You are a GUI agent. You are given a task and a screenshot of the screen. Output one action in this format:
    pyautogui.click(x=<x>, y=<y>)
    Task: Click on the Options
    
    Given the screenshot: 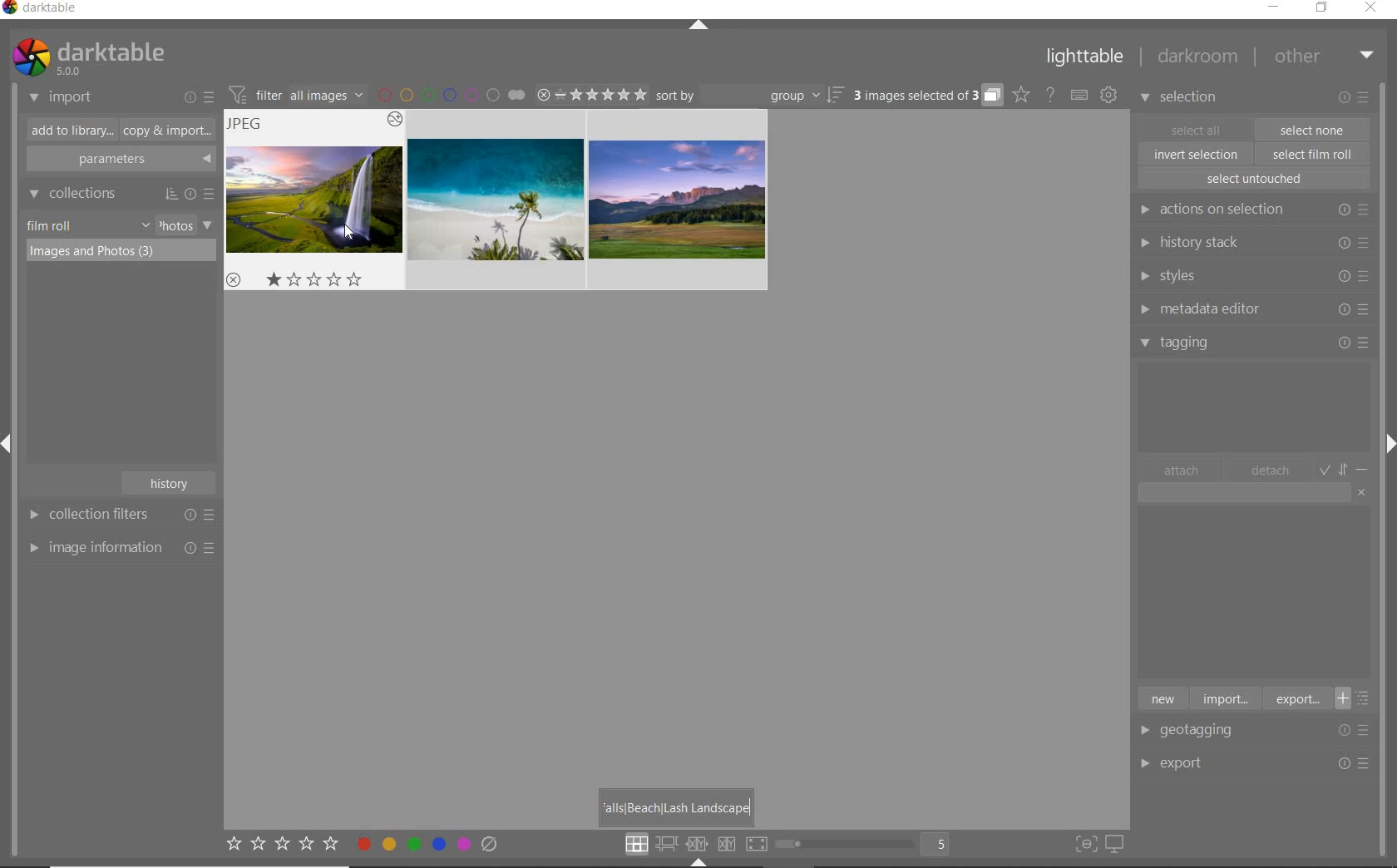 What is the action you would take?
    pyautogui.click(x=1359, y=730)
    